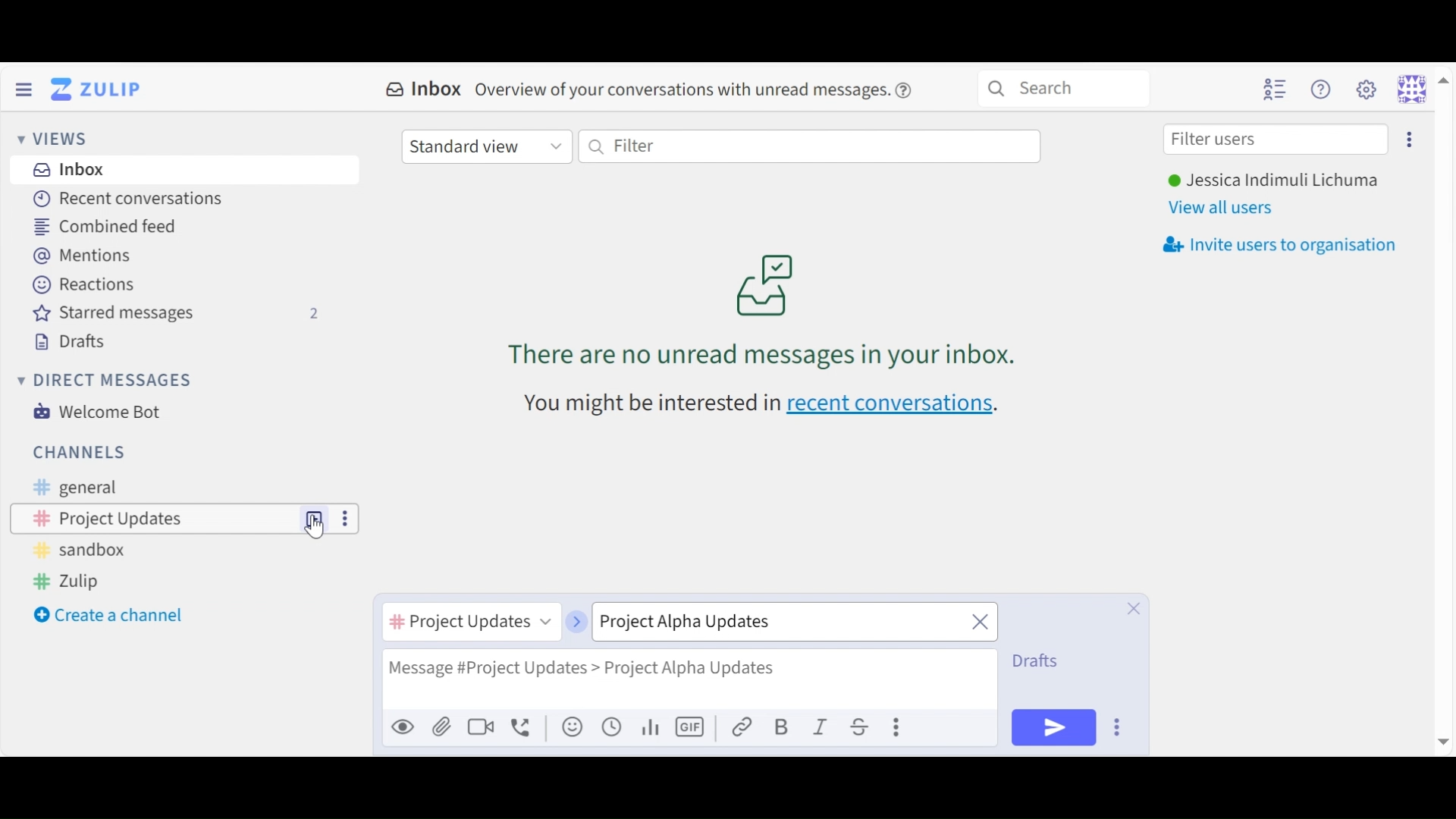 The width and height of the screenshot is (1456, 819). I want to click on Inbox, so click(425, 89).